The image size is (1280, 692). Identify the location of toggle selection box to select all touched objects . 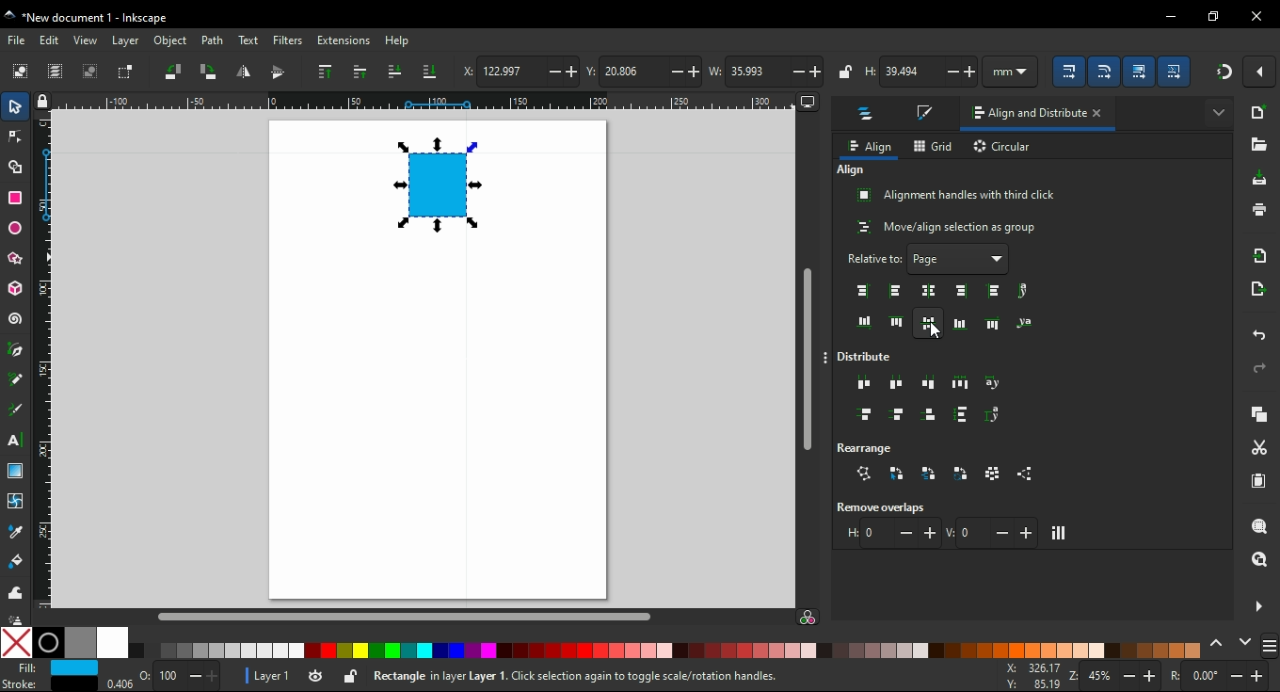
(127, 73).